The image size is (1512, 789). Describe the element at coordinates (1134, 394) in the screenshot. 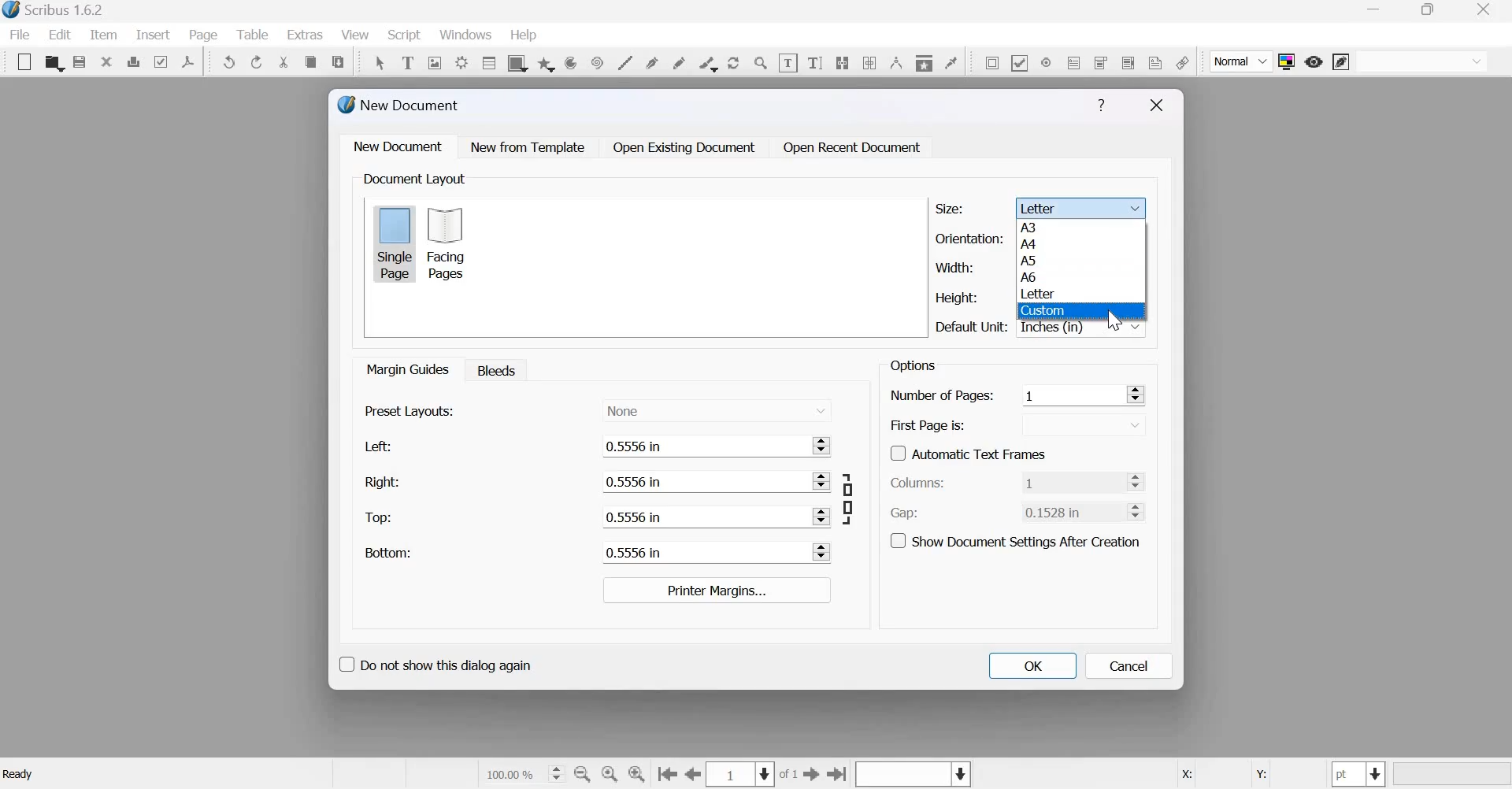

I see `Increase and Decrease` at that location.